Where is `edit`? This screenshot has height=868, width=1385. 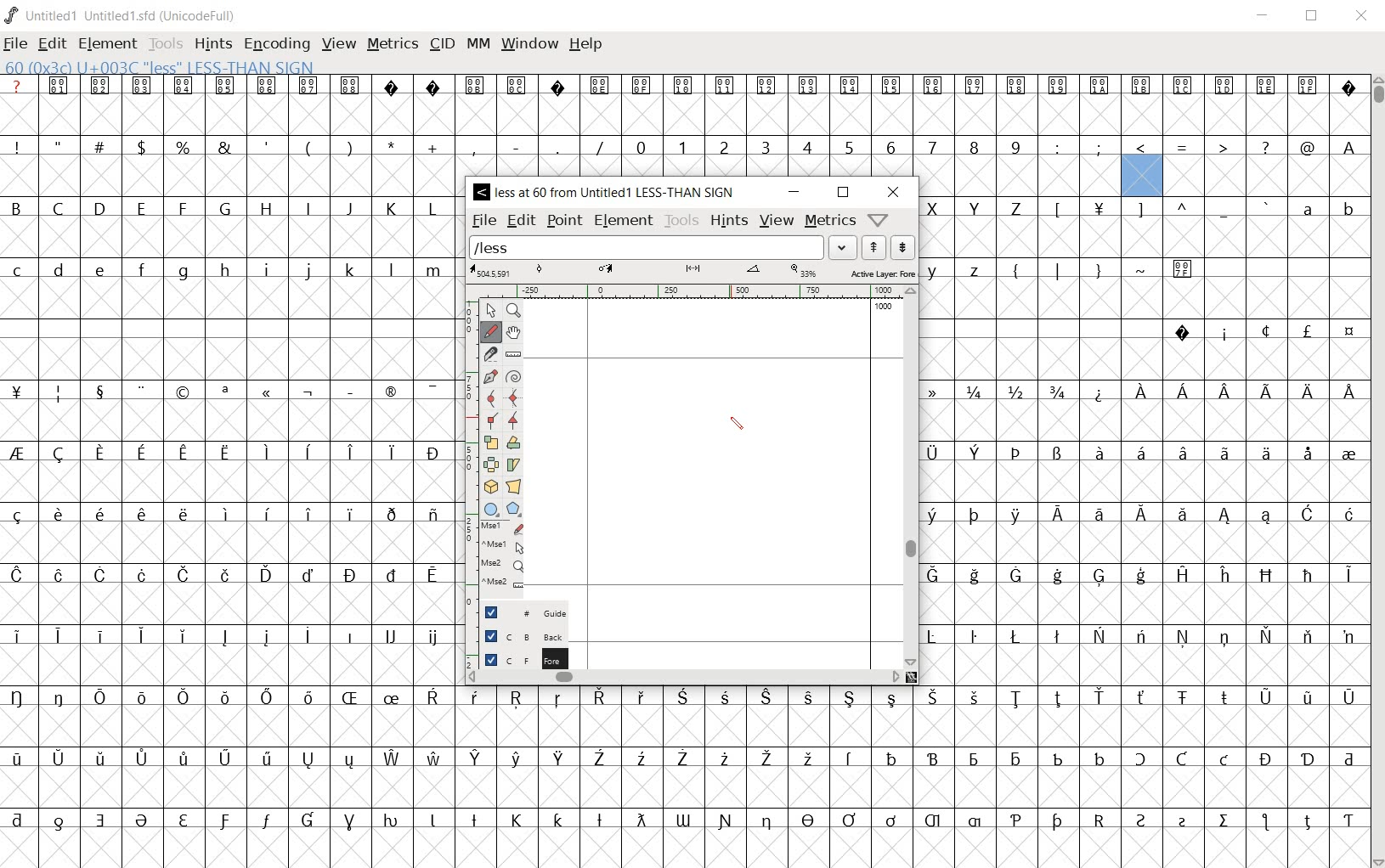
edit is located at coordinates (519, 221).